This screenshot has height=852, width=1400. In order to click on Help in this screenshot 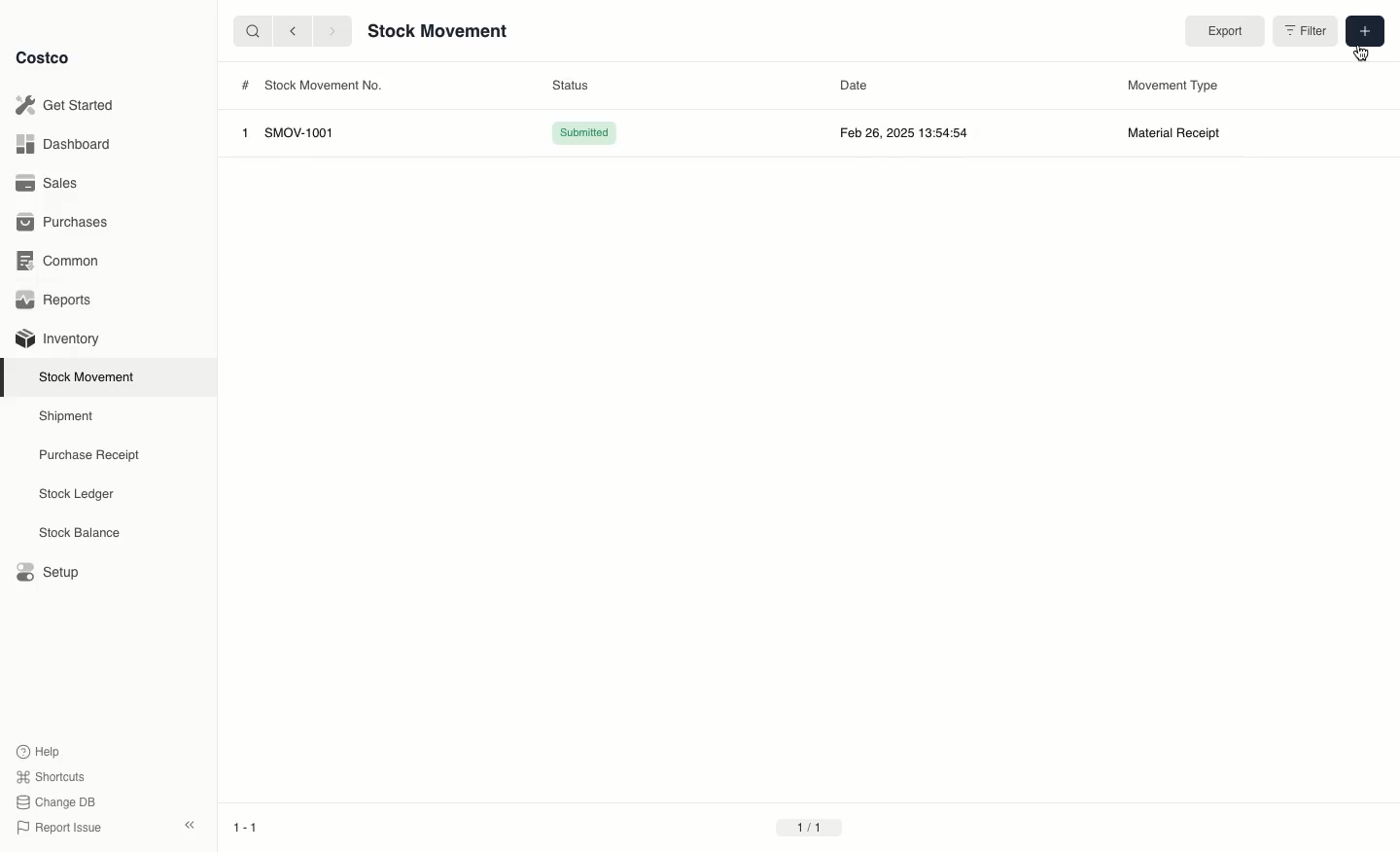, I will do `click(40, 749)`.